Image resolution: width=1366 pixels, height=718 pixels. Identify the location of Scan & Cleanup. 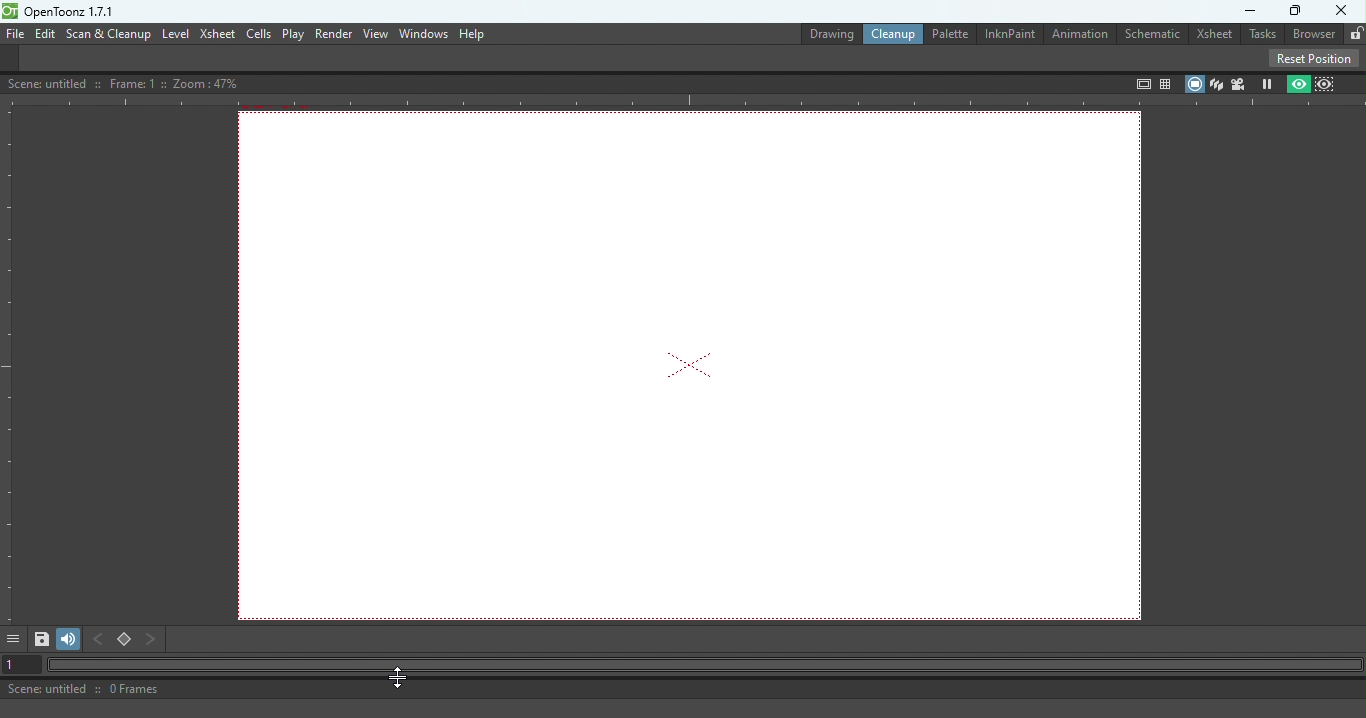
(109, 35).